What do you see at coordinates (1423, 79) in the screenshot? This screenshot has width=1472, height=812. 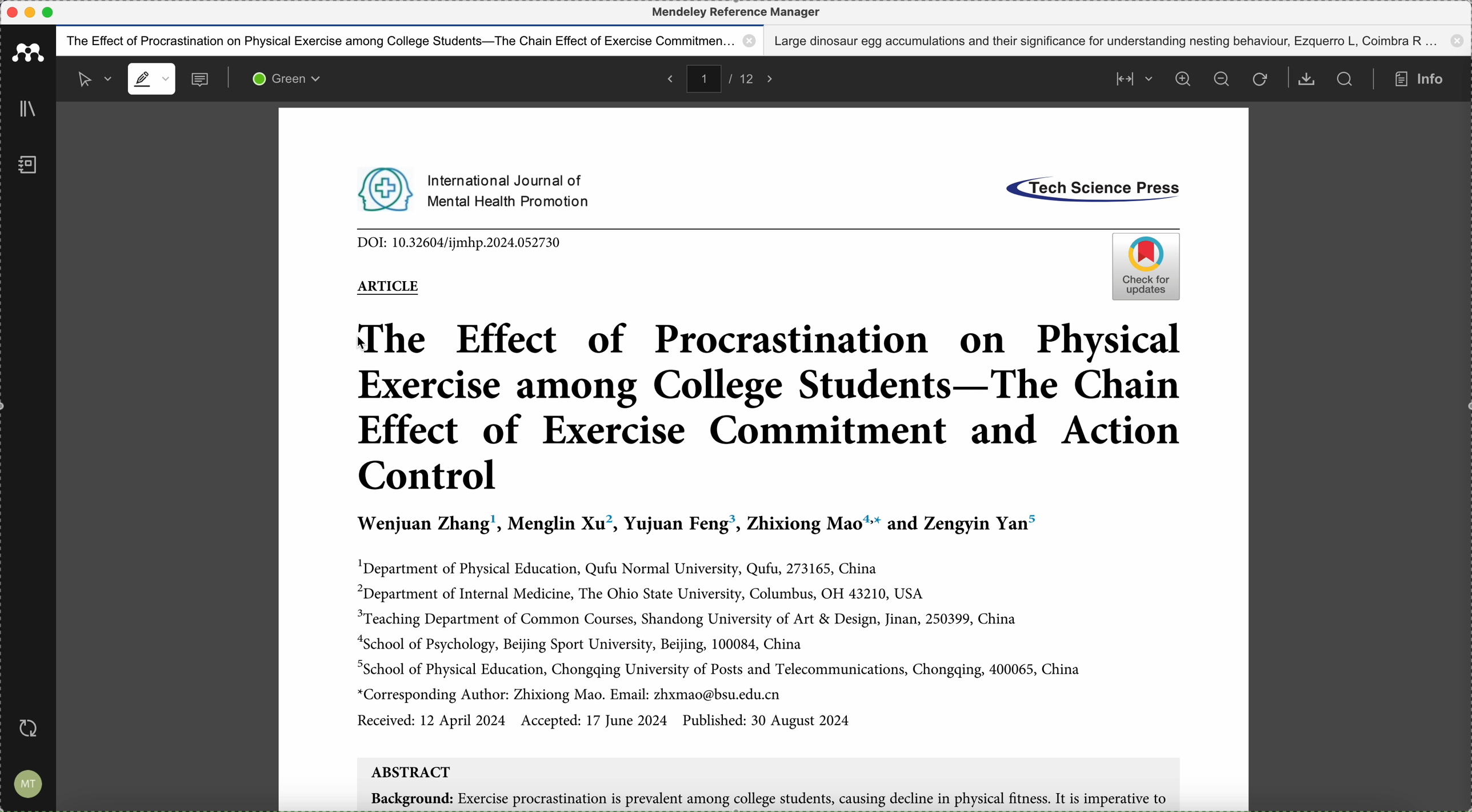 I see `info` at bounding box center [1423, 79].